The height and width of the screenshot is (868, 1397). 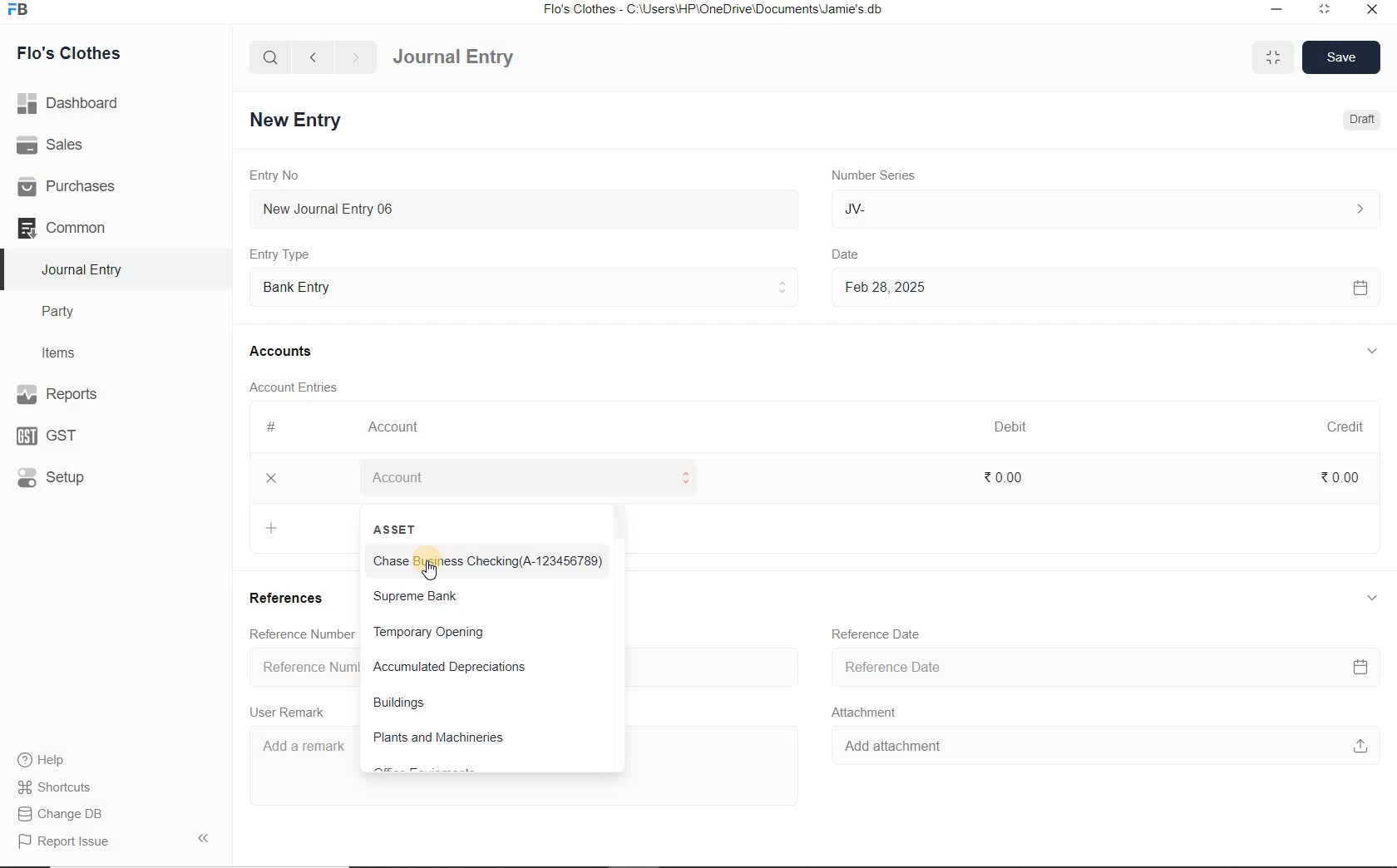 What do you see at coordinates (1325, 8) in the screenshot?
I see `maximize` at bounding box center [1325, 8].